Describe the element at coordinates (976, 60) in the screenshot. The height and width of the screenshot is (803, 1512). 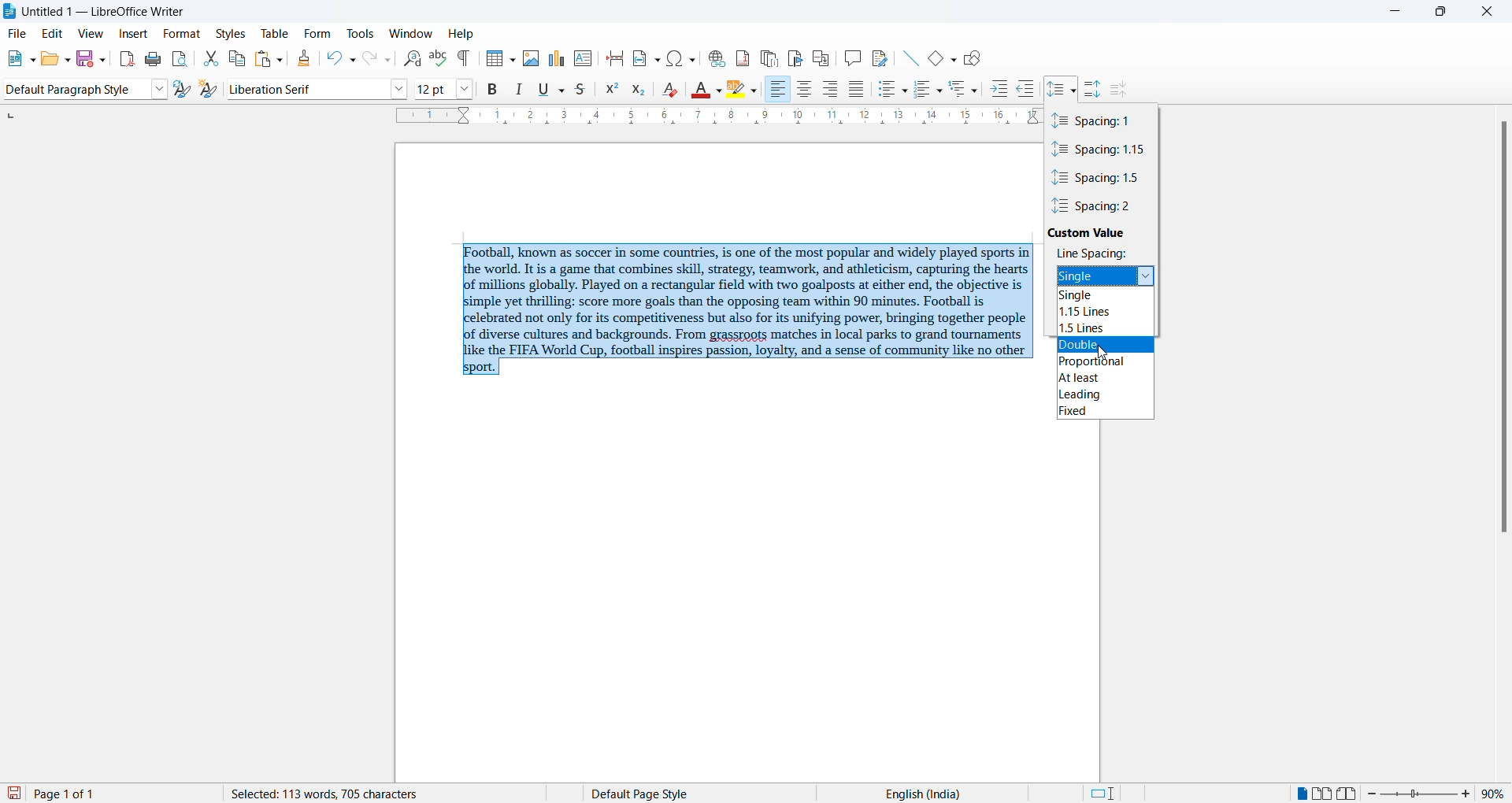
I see `show draw functions` at that location.